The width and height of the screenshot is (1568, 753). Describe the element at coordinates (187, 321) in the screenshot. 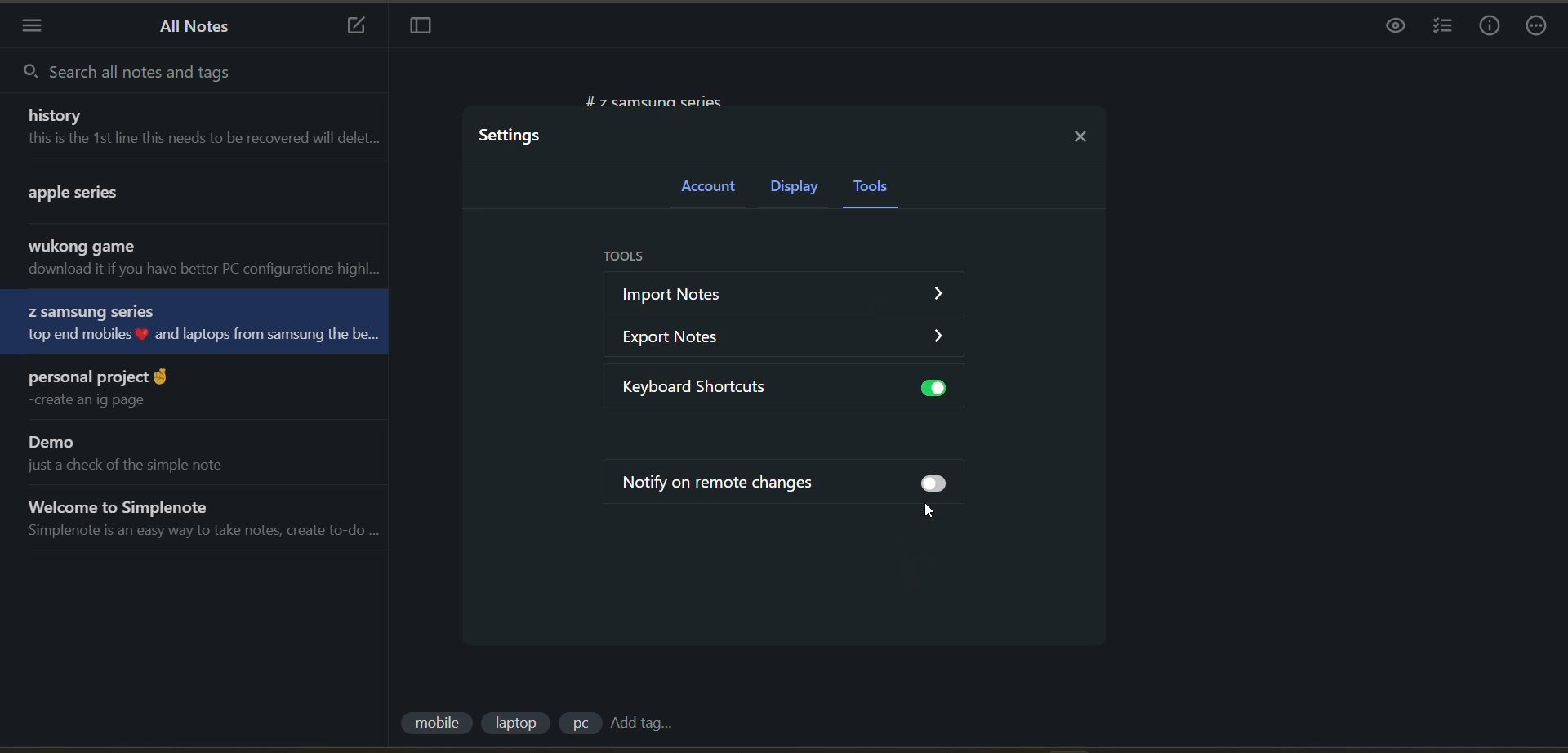

I see `note title and preview` at that location.